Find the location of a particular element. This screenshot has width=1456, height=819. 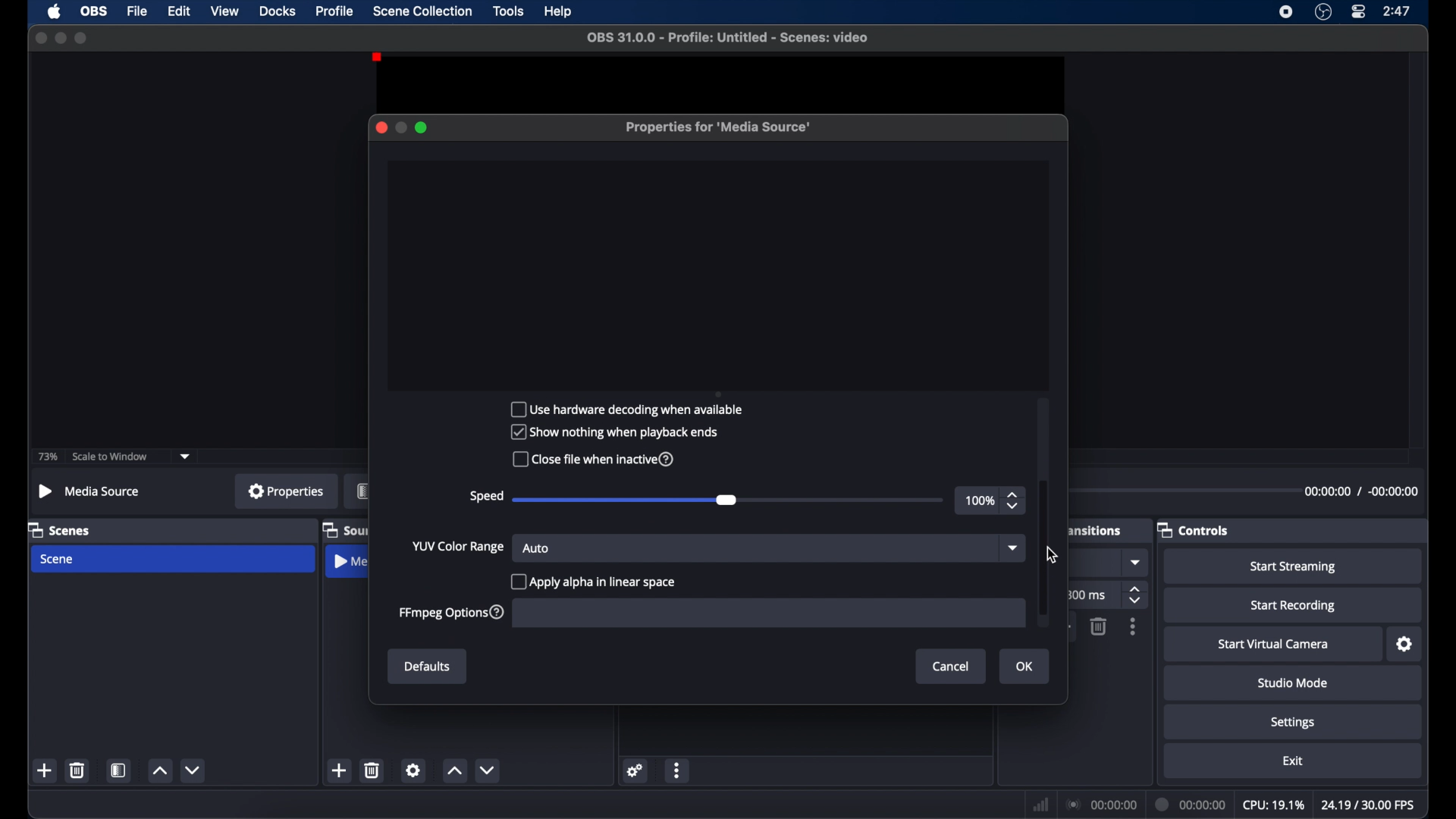

duration is located at coordinates (1191, 804).